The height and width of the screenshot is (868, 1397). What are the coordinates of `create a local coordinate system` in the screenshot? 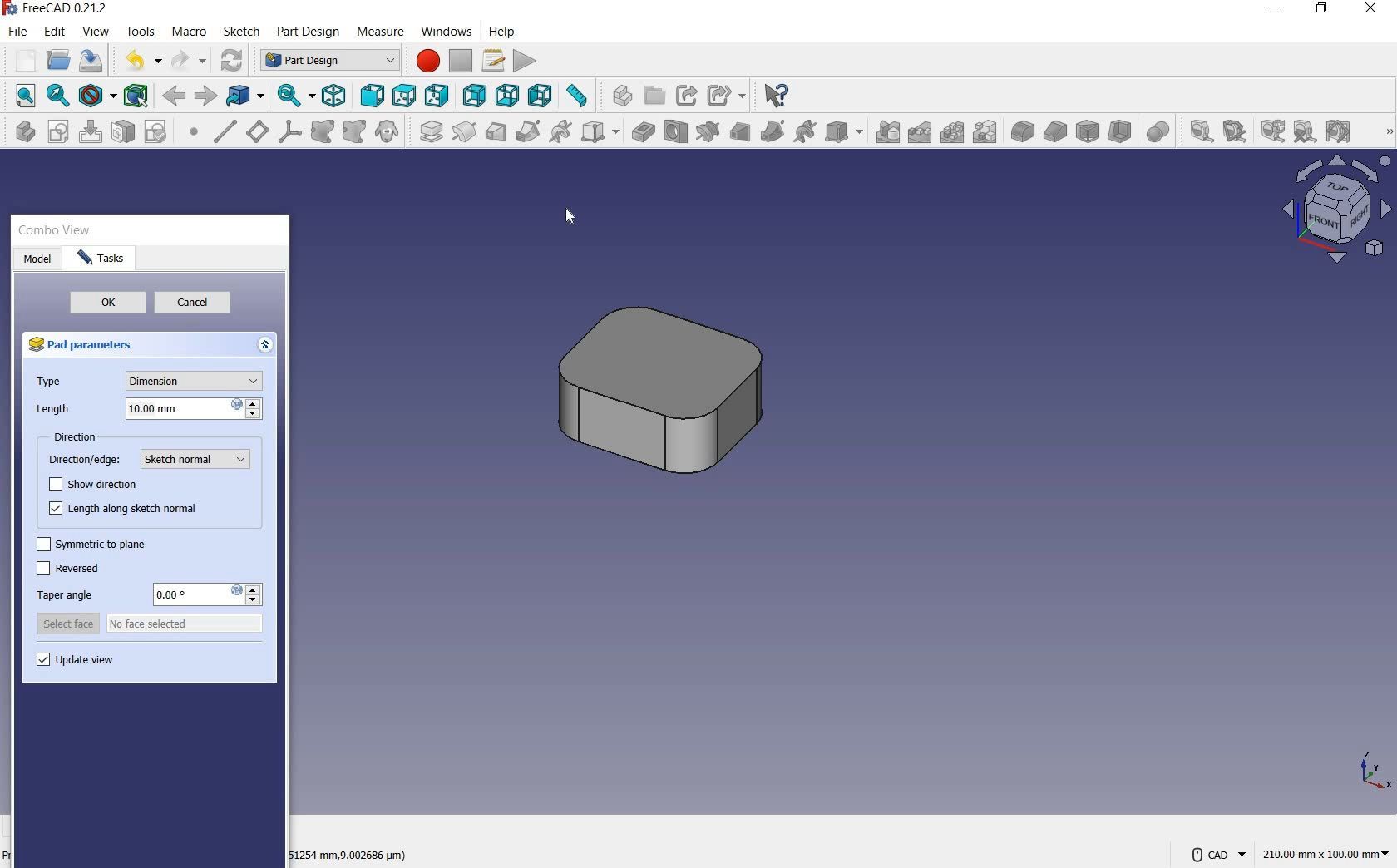 It's located at (290, 133).